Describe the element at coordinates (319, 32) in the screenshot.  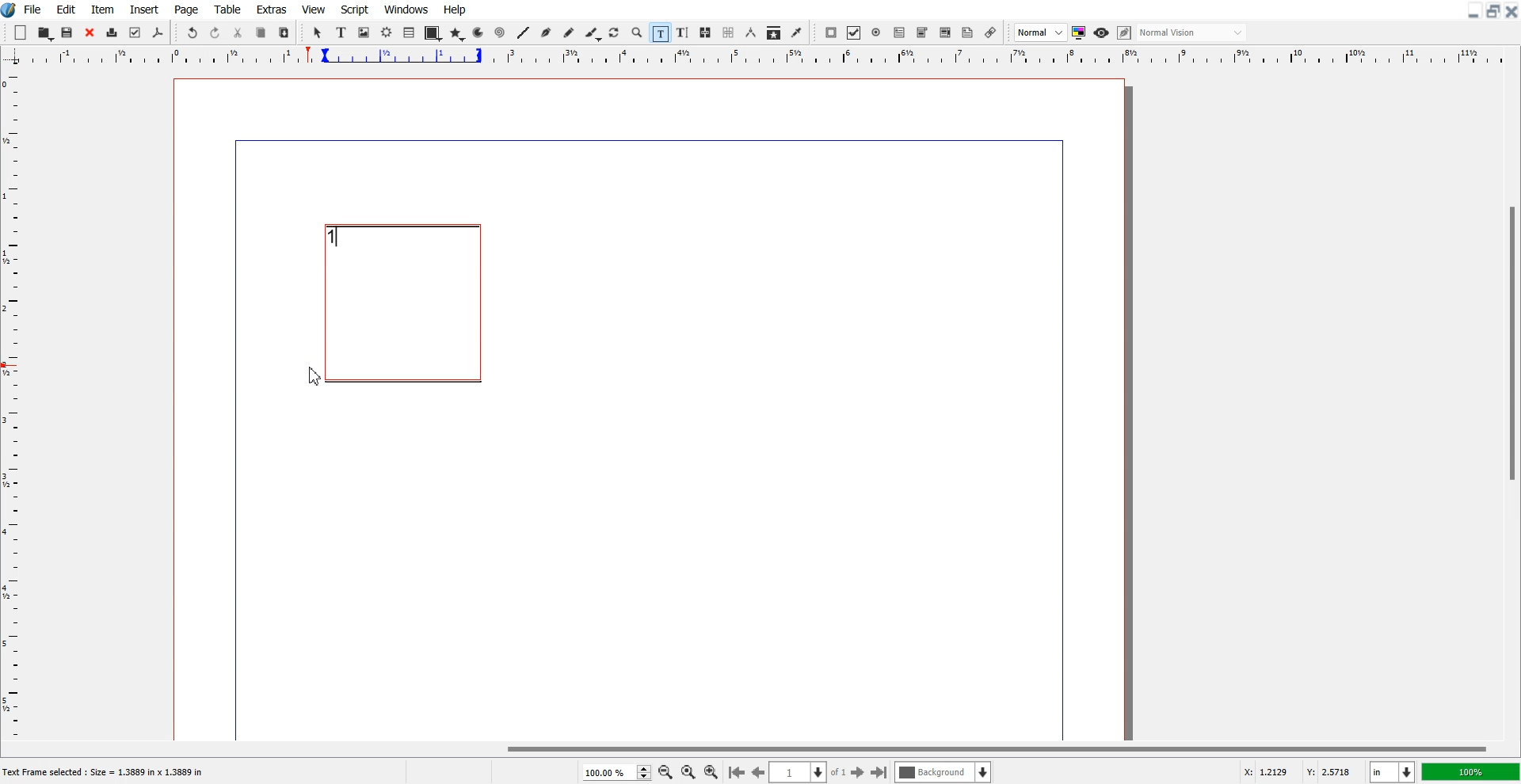
I see `Select Item` at that location.